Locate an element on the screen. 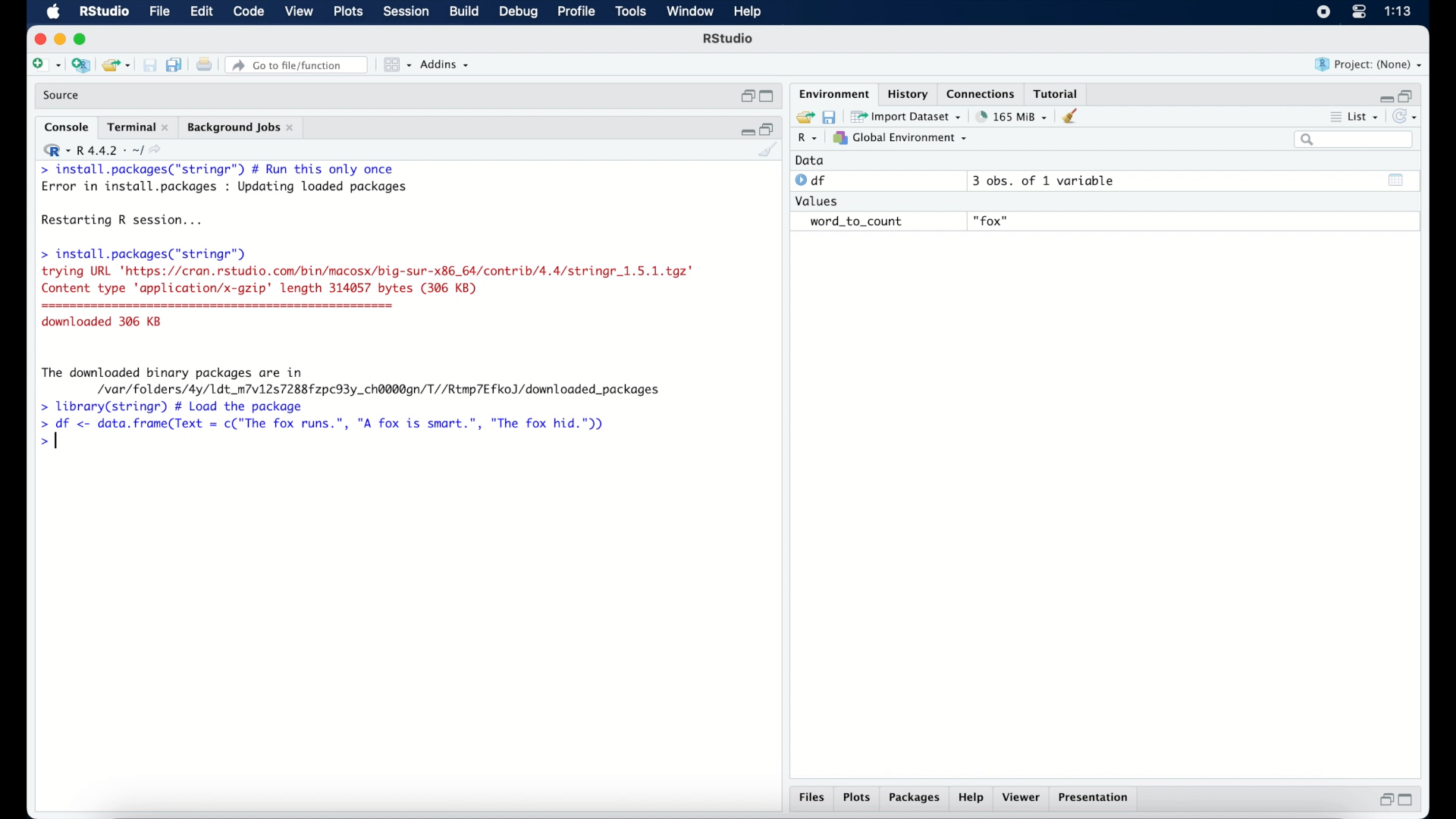  restore down is located at coordinates (1384, 799).